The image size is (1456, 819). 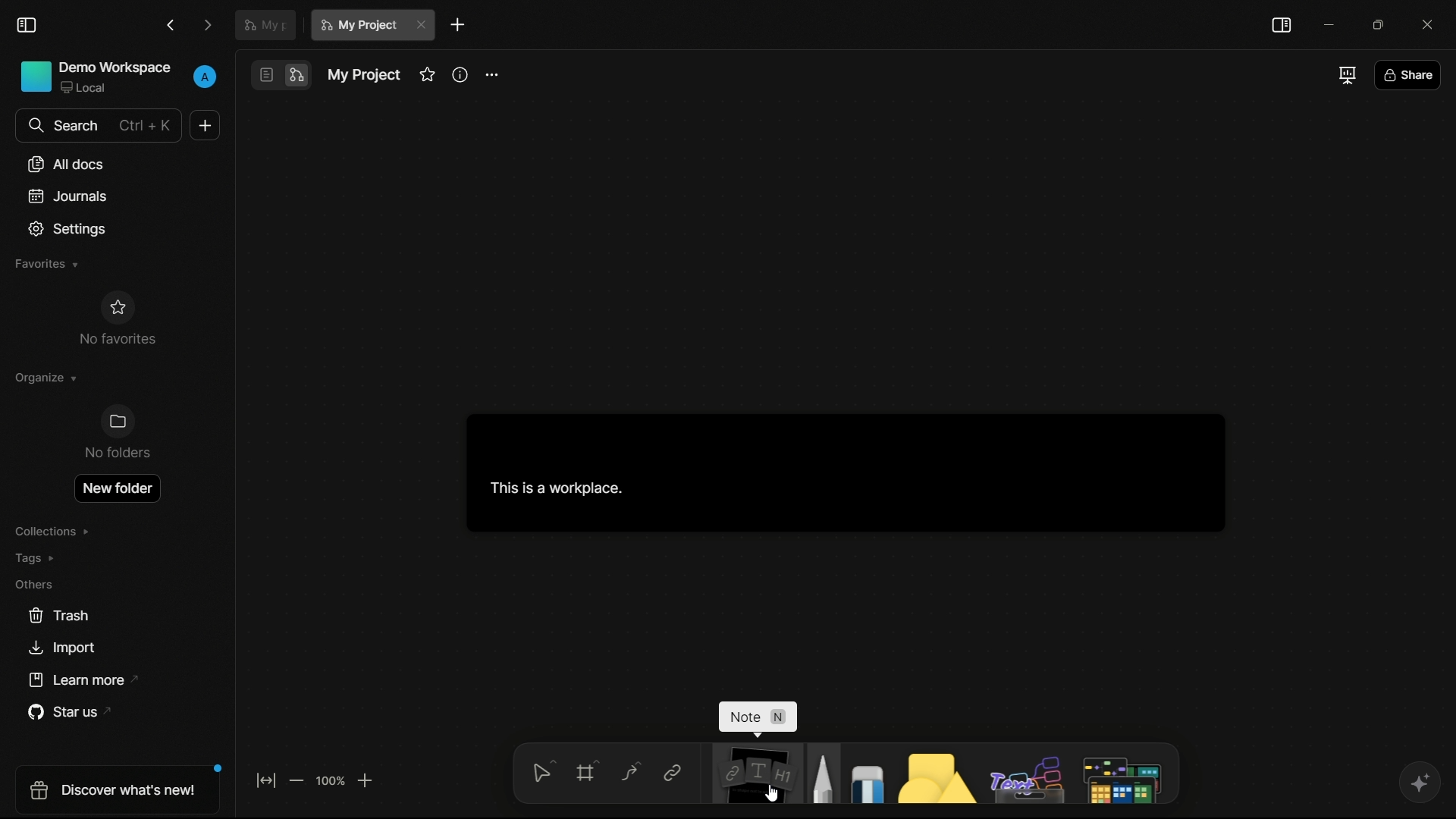 I want to click on new folder, so click(x=117, y=485).